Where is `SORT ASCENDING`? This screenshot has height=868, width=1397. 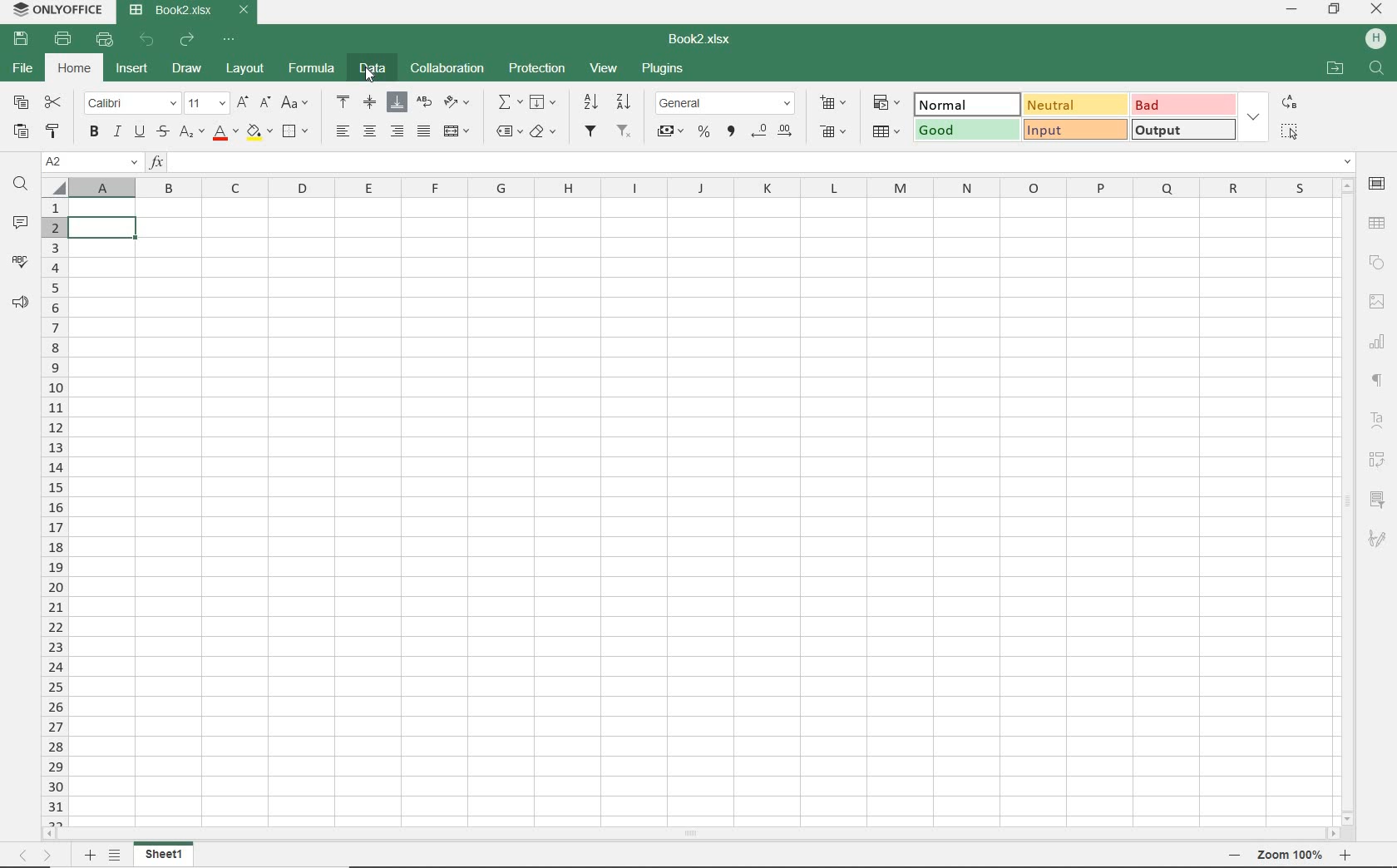 SORT ASCENDING is located at coordinates (589, 101).